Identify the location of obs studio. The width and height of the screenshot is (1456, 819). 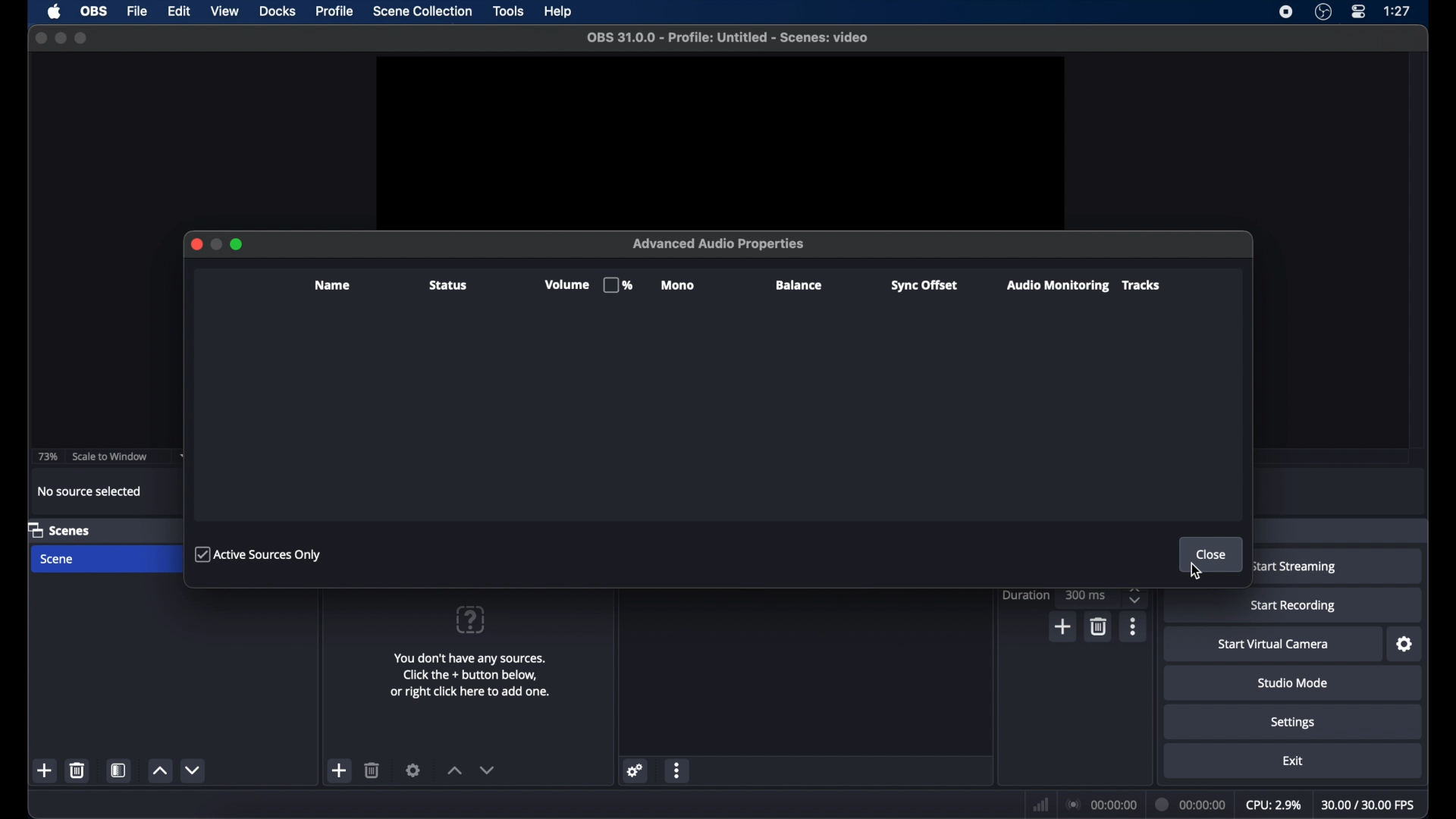
(1323, 13).